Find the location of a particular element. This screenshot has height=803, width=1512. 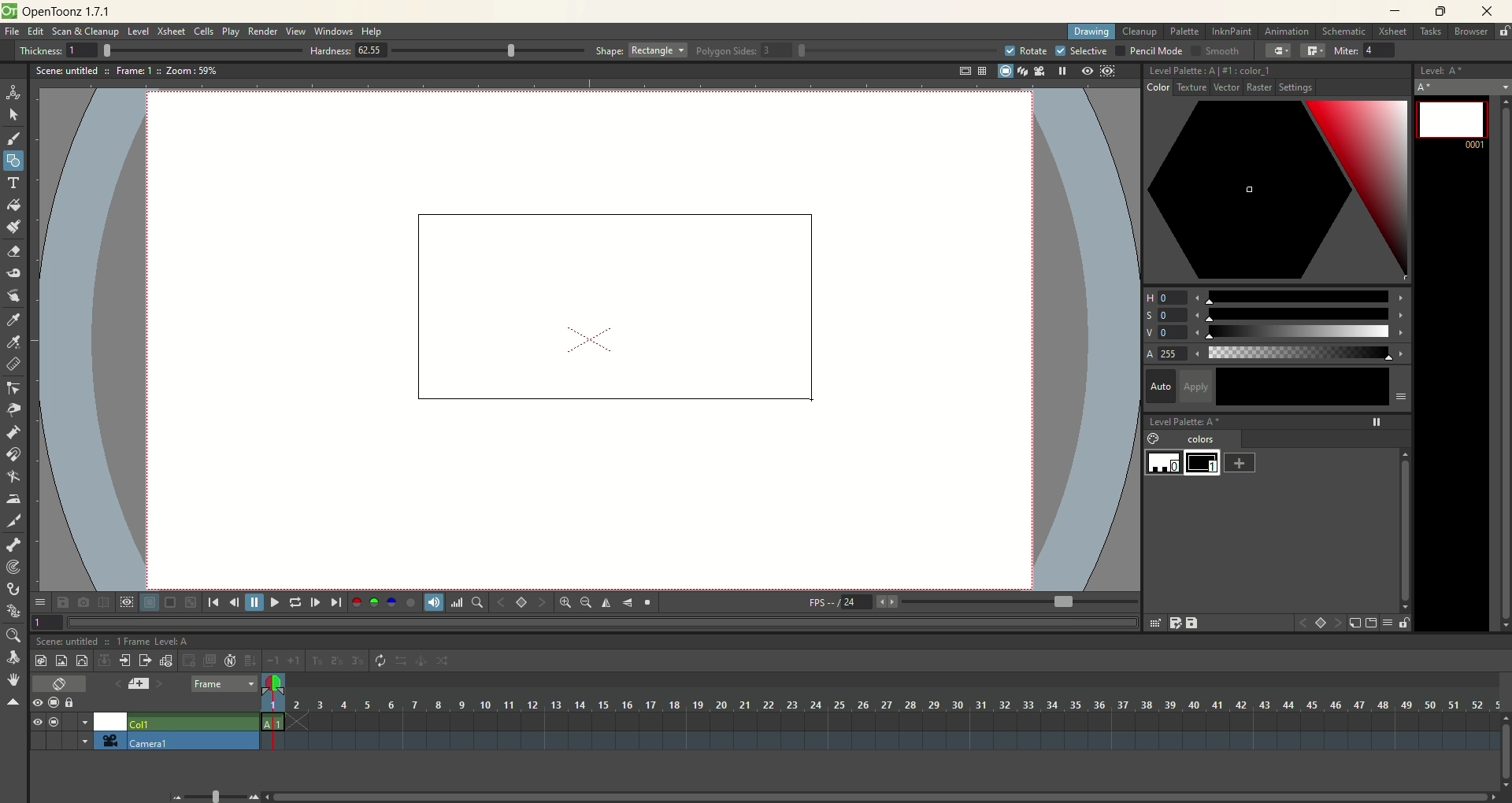

level palette is located at coordinates (1280, 420).